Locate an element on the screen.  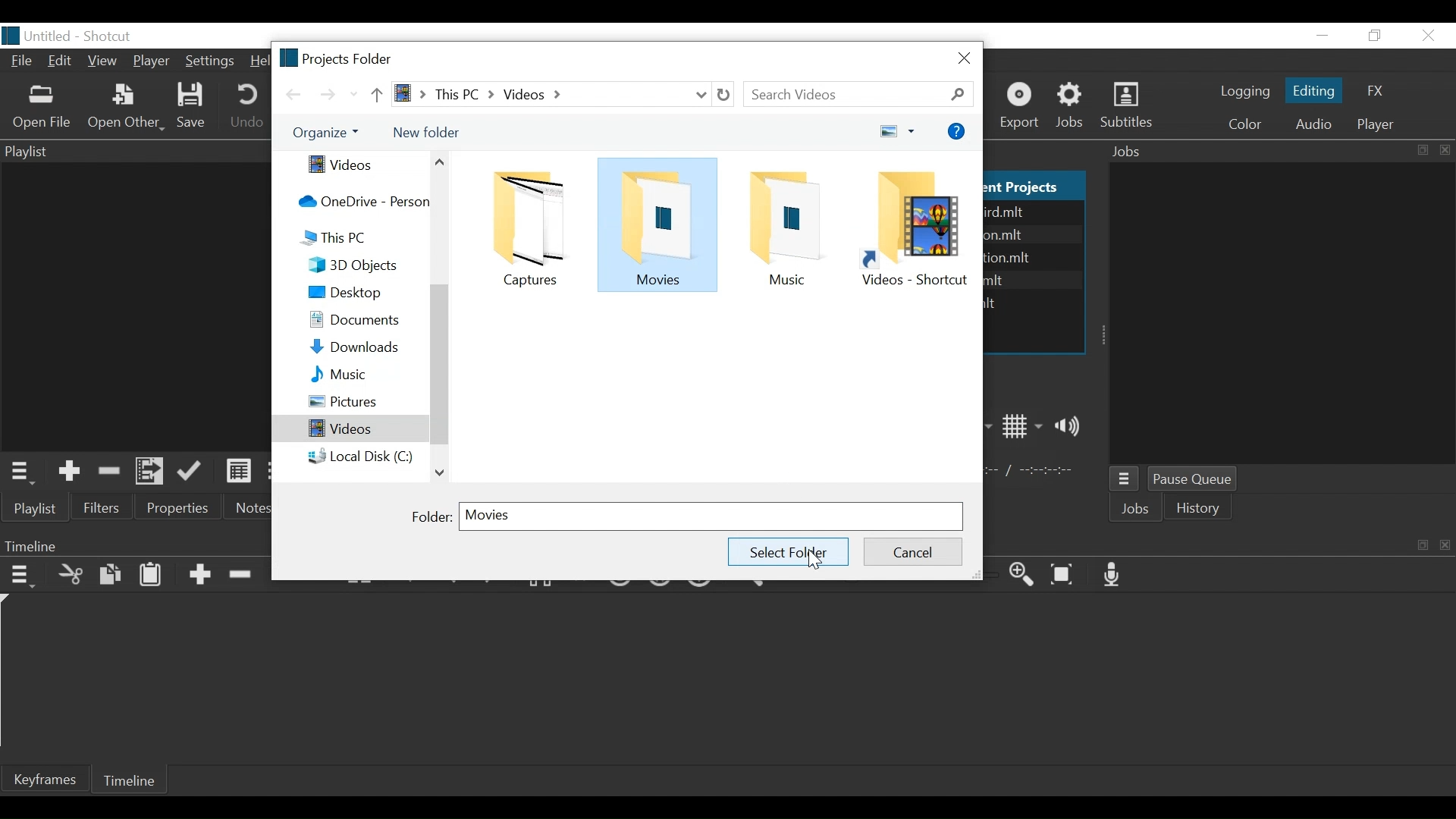
Parent is located at coordinates (375, 95).